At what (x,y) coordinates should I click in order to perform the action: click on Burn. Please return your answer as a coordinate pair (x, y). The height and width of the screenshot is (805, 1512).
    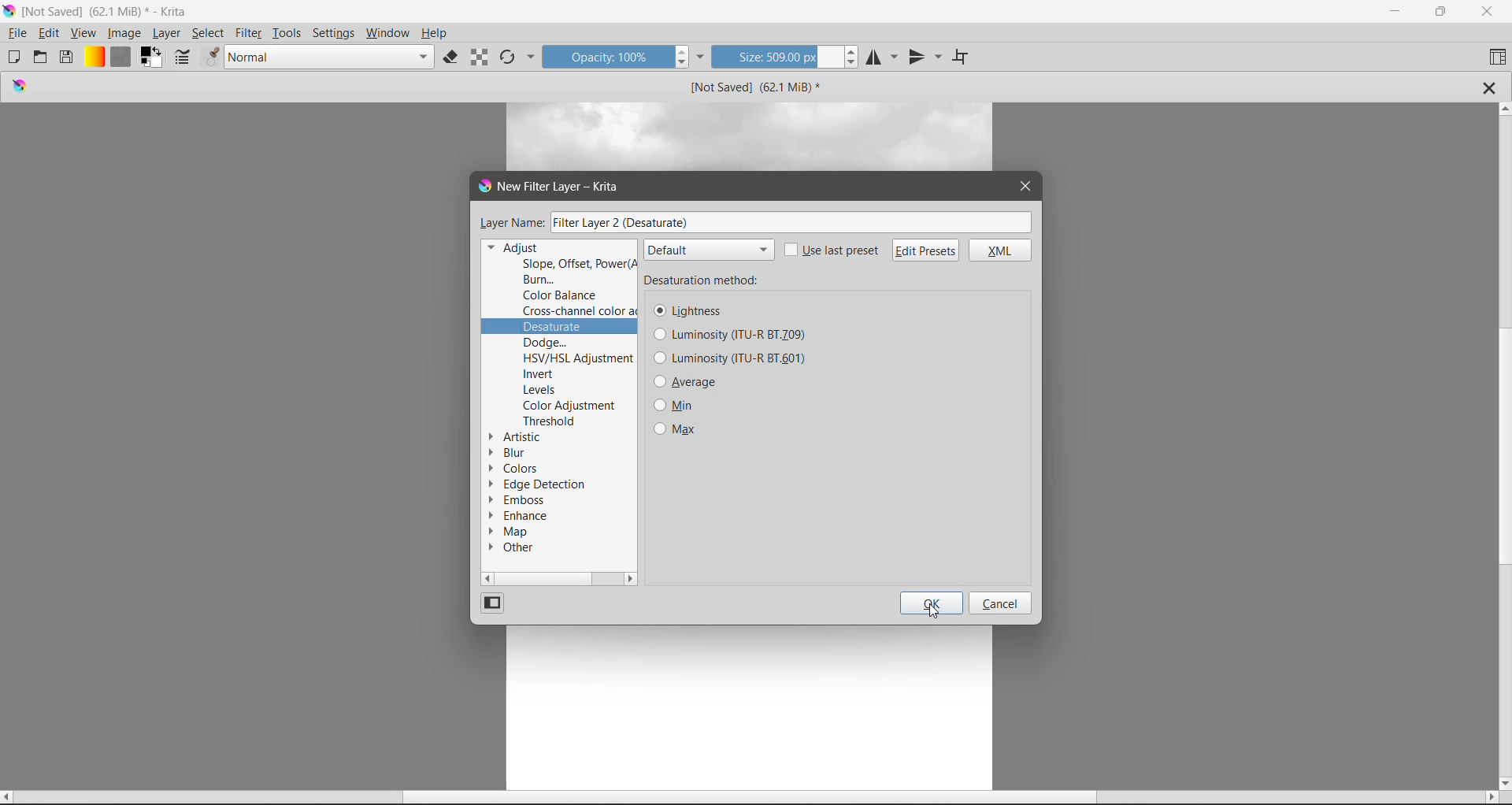
    Looking at the image, I should click on (540, 280).